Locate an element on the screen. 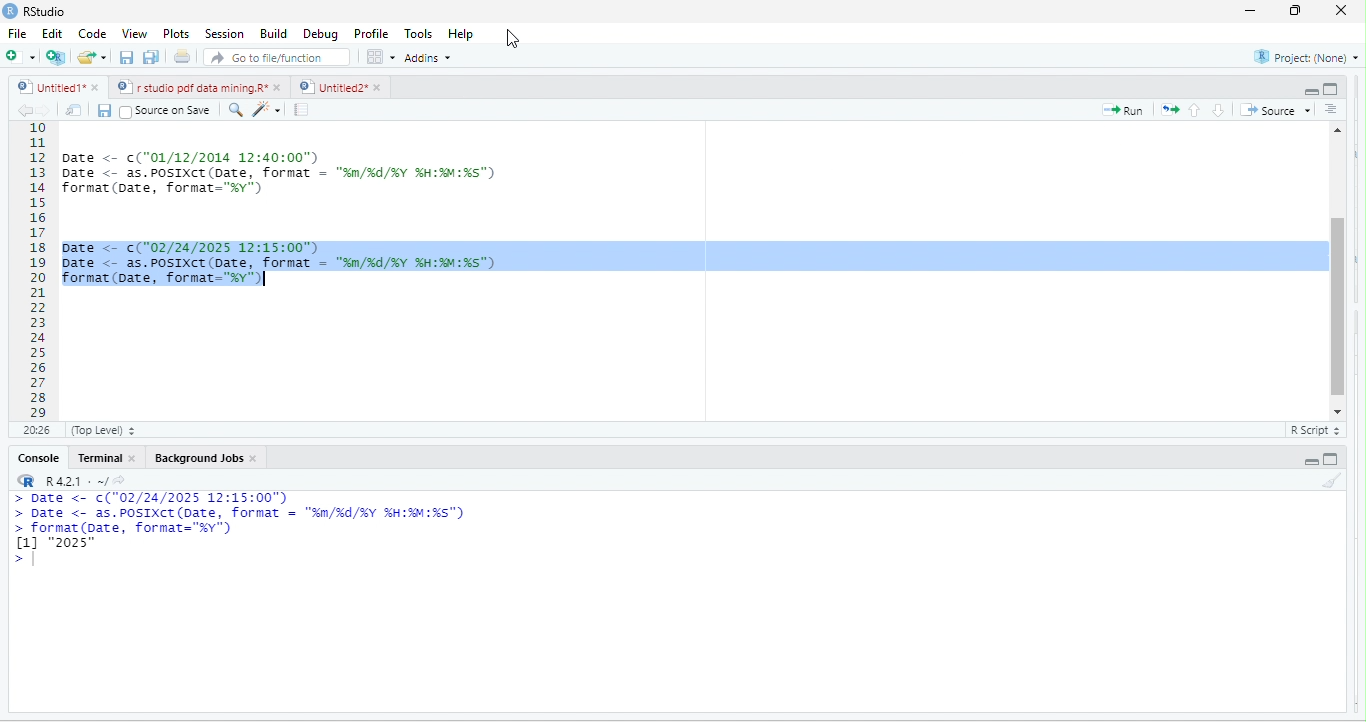  hide console is located at coordinates (1334, 458).